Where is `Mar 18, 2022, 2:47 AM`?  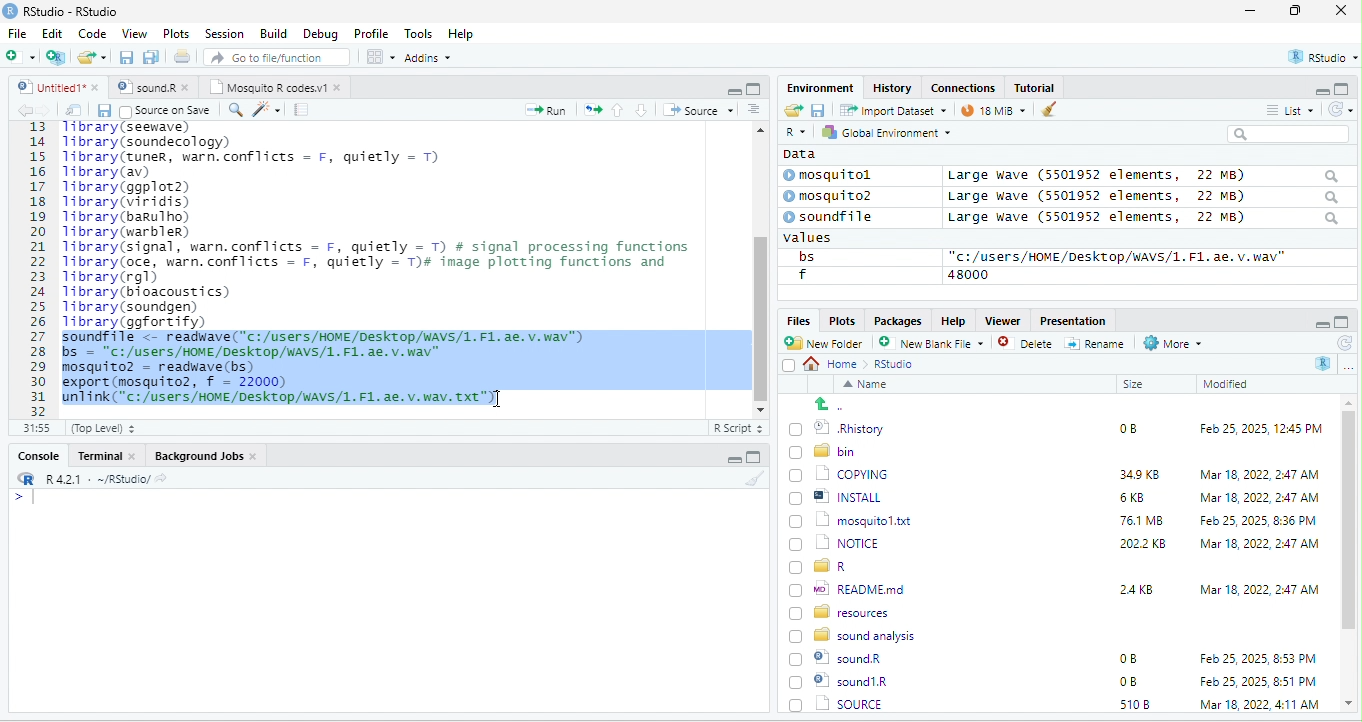
Mar 18, 2022, 2:47 AM is located at coordinates (1254, 499).